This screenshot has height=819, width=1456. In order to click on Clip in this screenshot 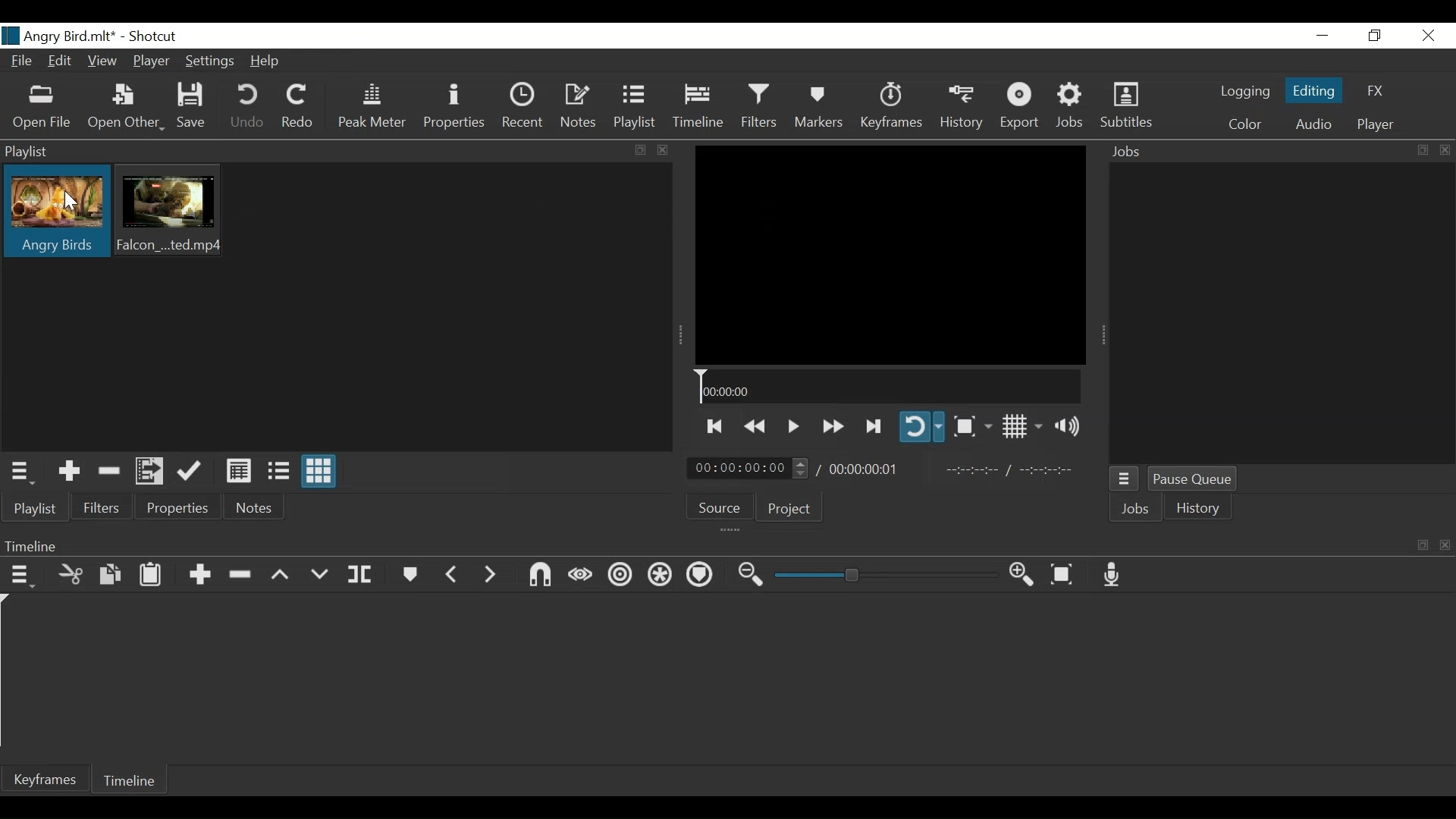, I will do `click(174, 212)`.